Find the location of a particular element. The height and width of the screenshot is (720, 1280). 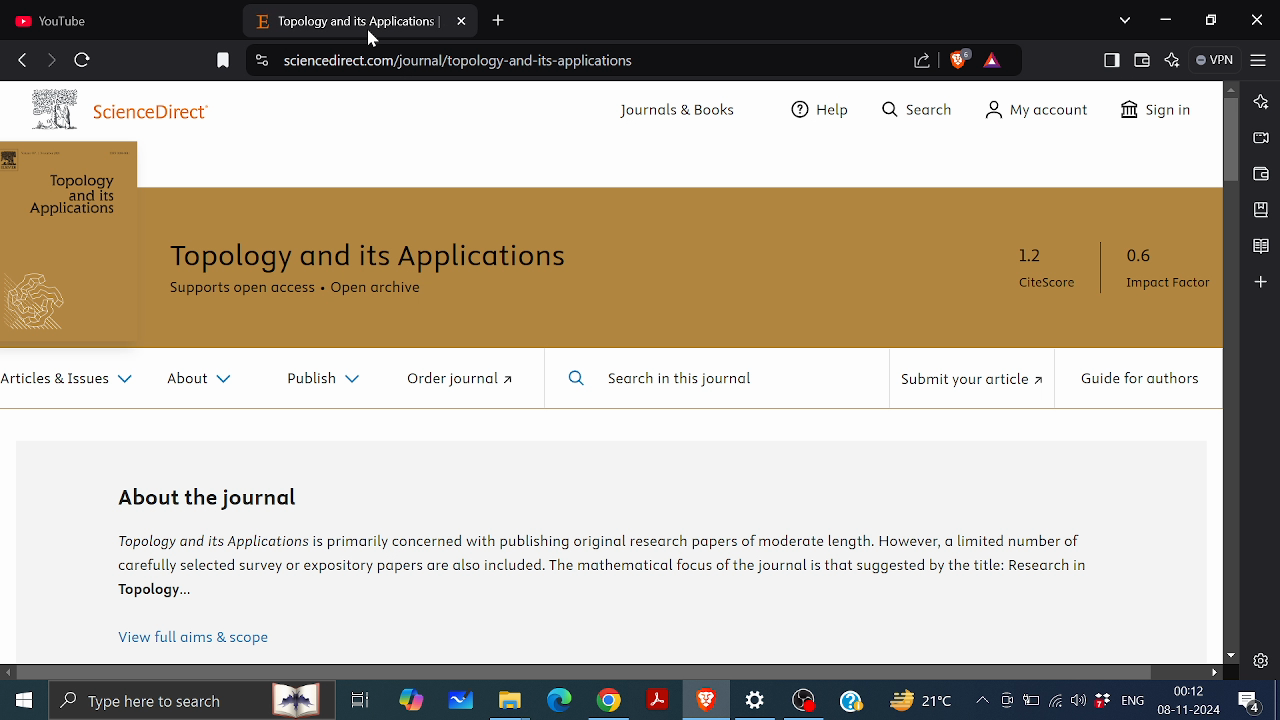

Brave browser is located at coordinates (706, 700).